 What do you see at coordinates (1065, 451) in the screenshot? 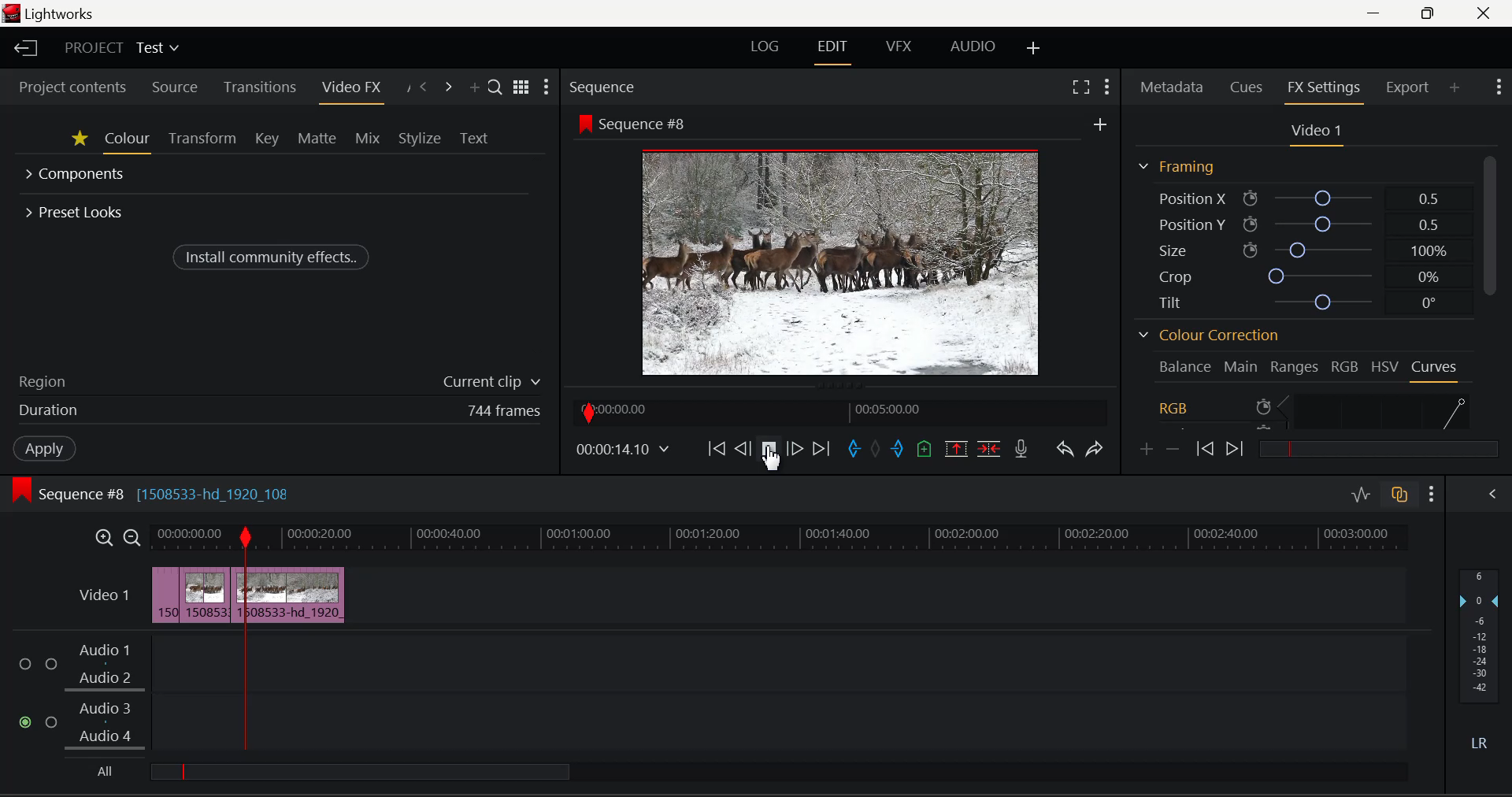
I see `Undo` at bounding box center [1065, 451].